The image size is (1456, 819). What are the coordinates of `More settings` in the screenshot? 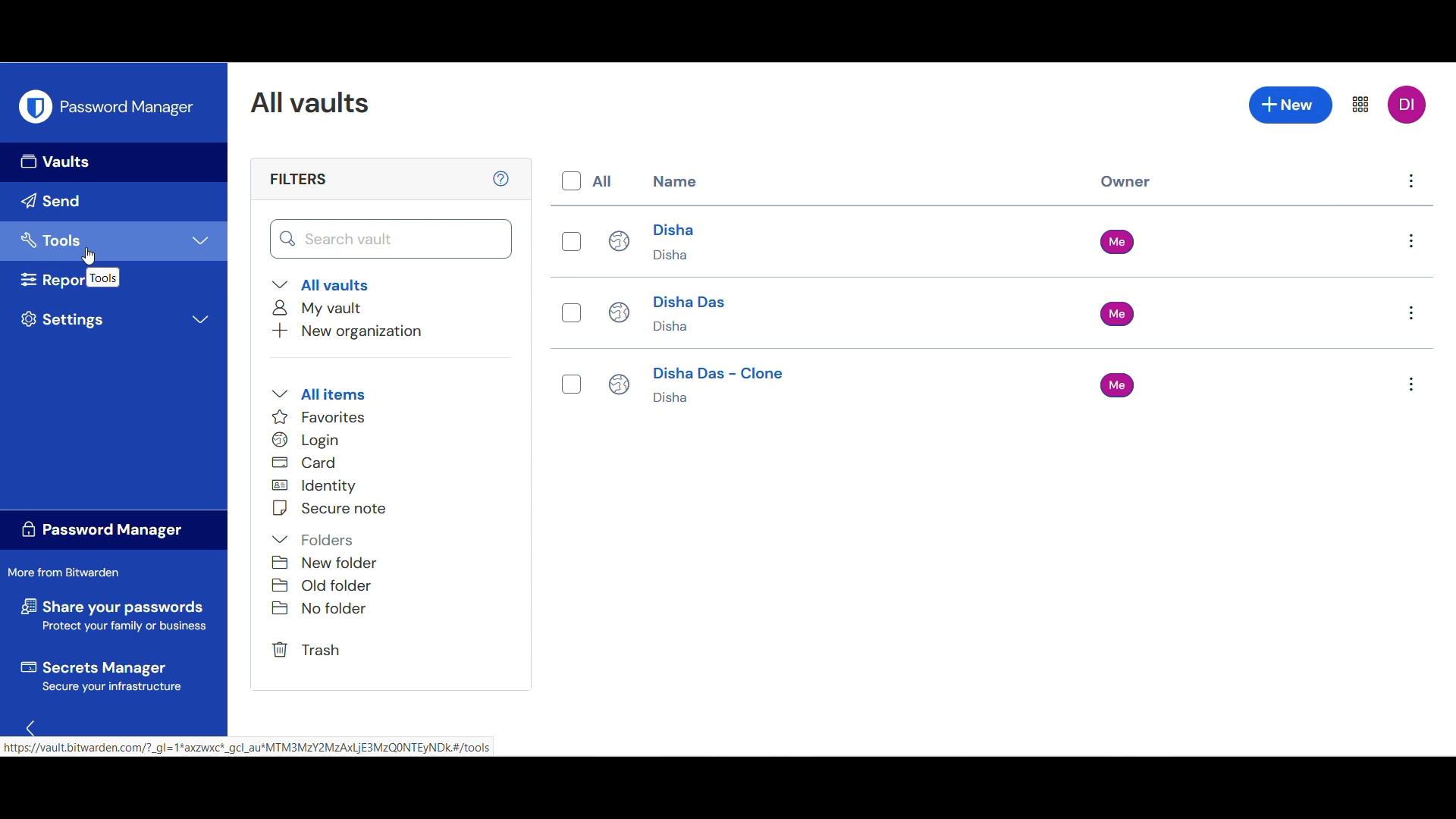 It's located at (1360, 104).